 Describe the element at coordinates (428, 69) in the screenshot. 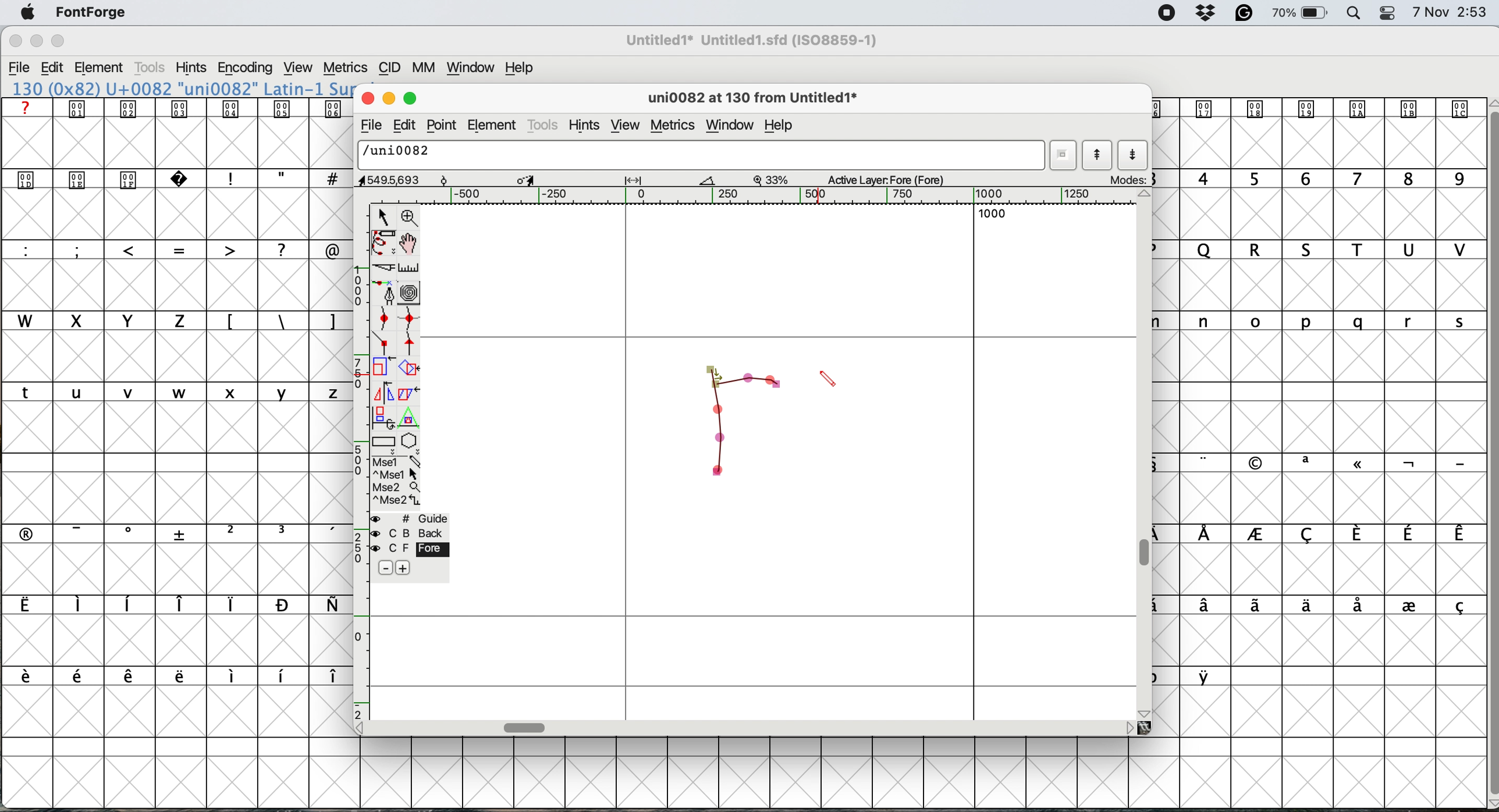

I see `mm` at that location.